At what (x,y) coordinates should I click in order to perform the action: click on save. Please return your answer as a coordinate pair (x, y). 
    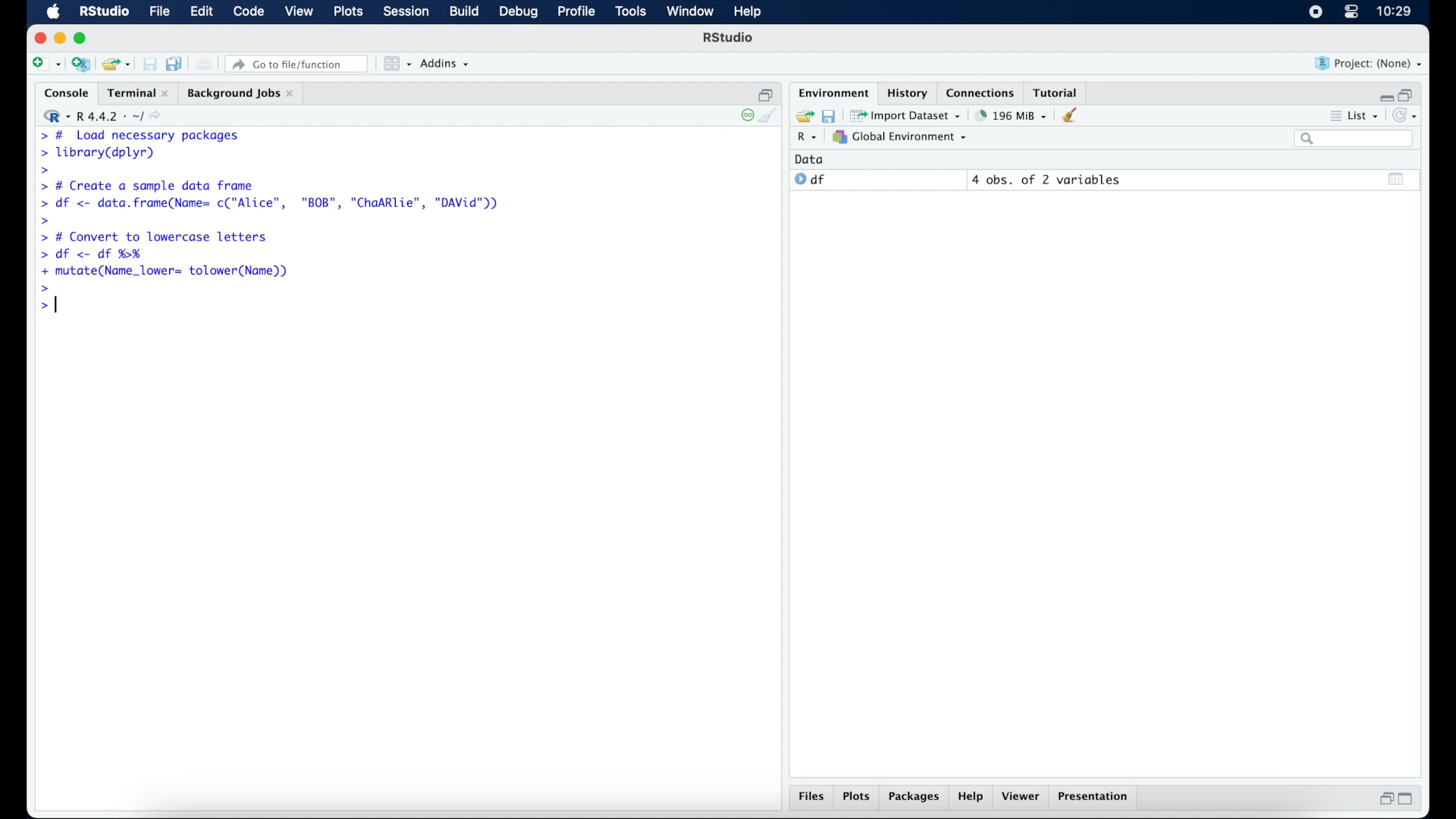
    Looking at the image, I should click on (149, 64).